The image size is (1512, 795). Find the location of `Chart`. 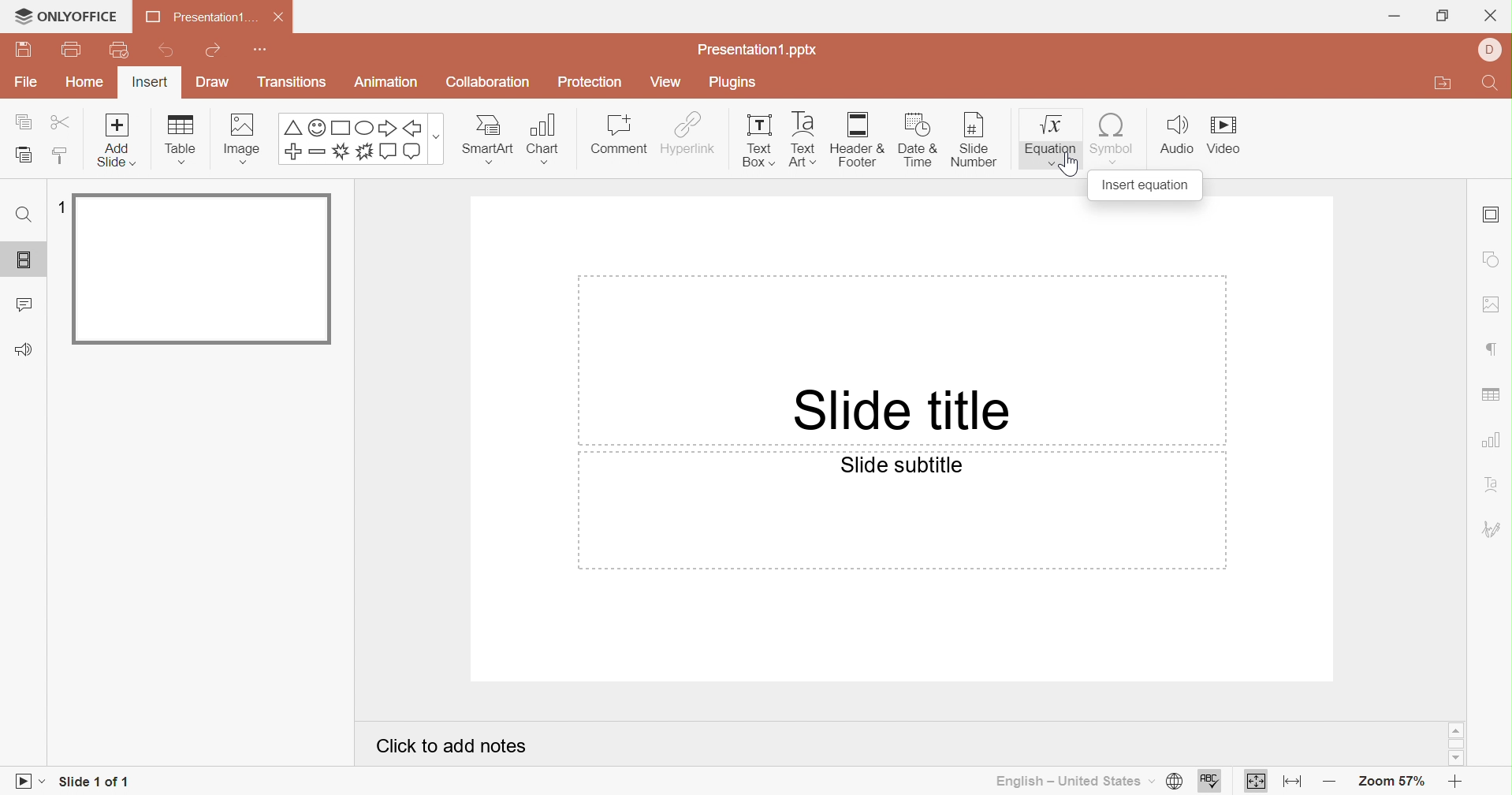

Chart is located at coordinates (546, 137).